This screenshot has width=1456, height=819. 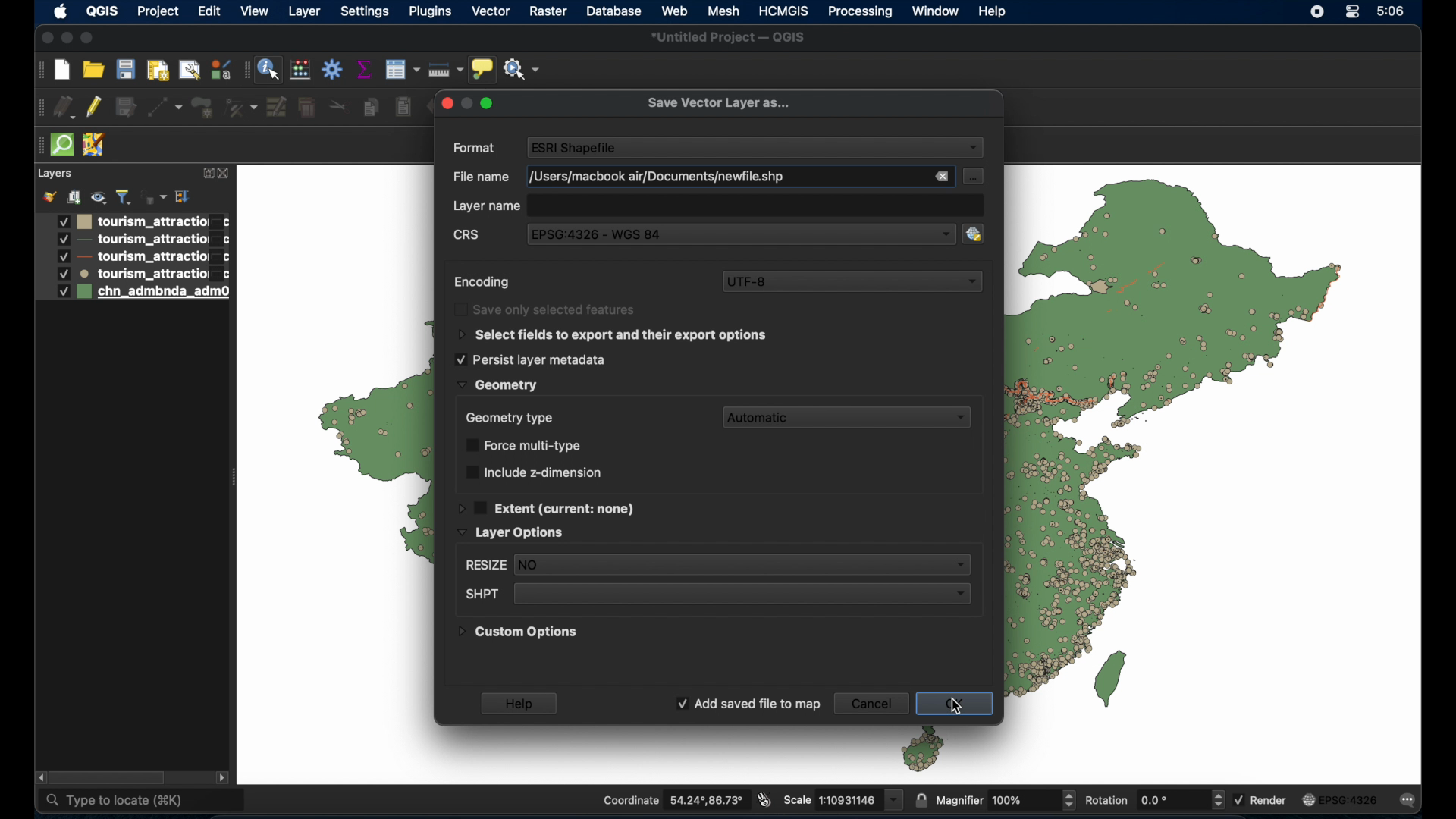 What do you see at coordinates (133, 274) in the screenshot?
I see `layer 4` at bounding box center [133, 274].